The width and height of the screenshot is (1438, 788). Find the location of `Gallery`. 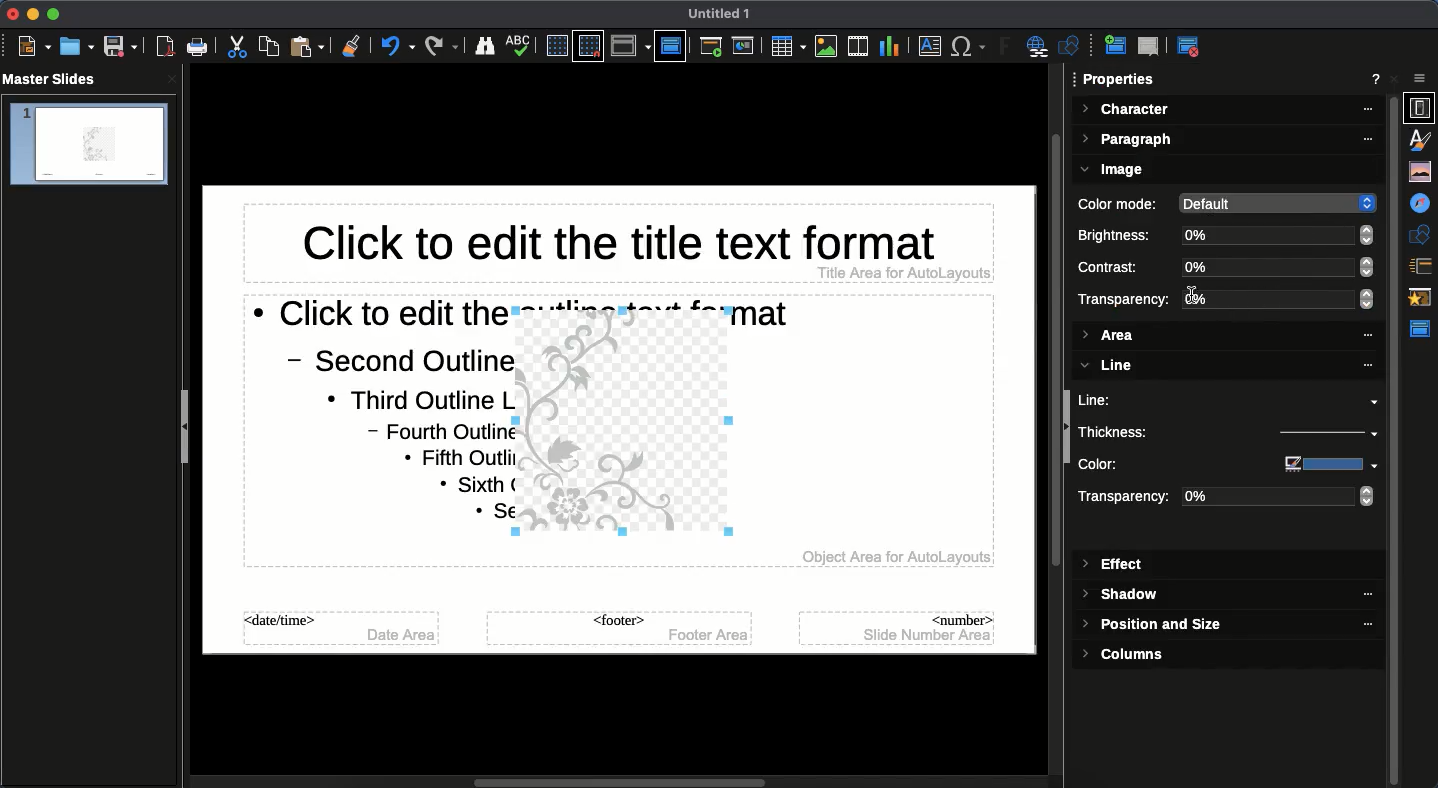

Gallery is located at coordinates (1422, 171).